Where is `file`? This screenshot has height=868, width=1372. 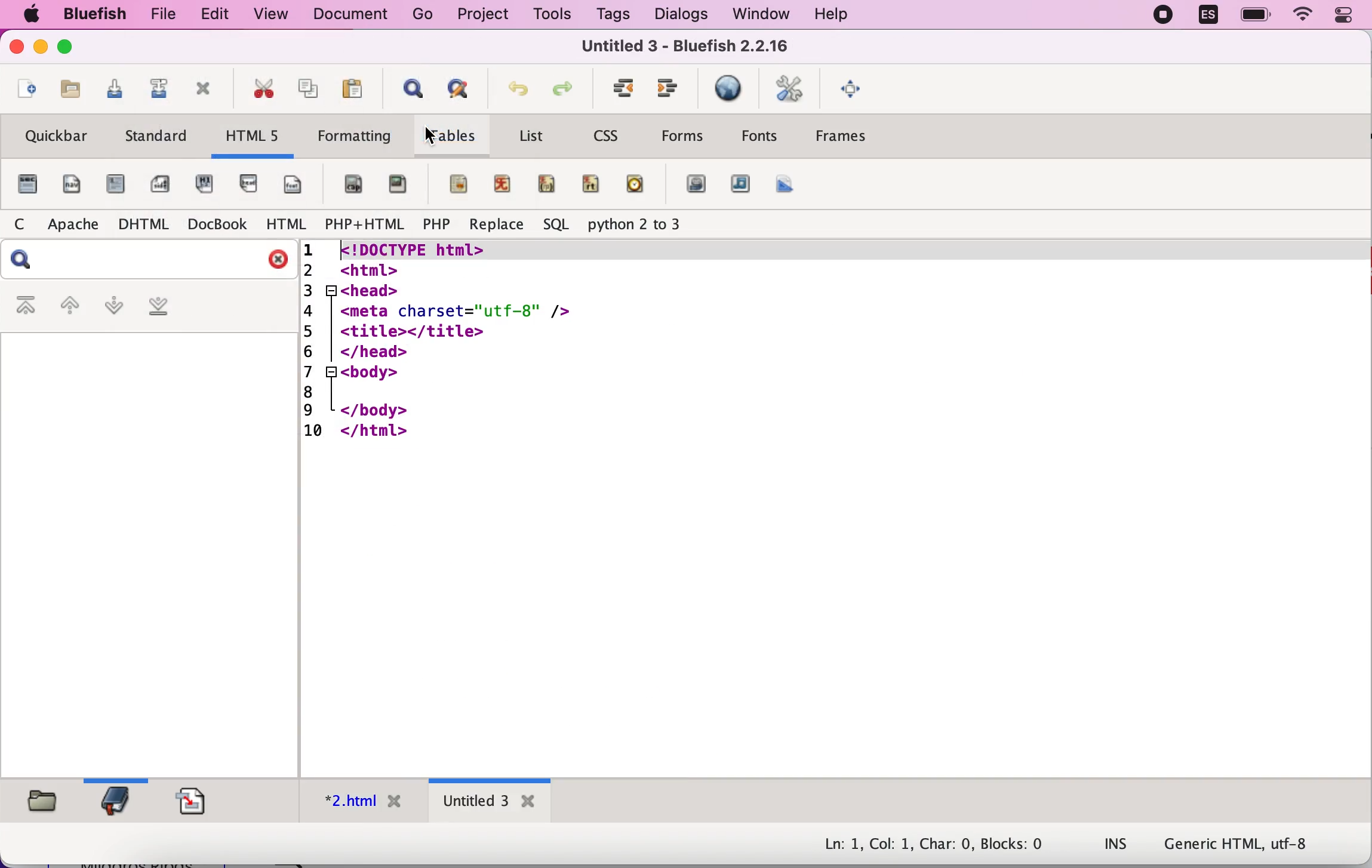
file is located at coordinates (159, 16).